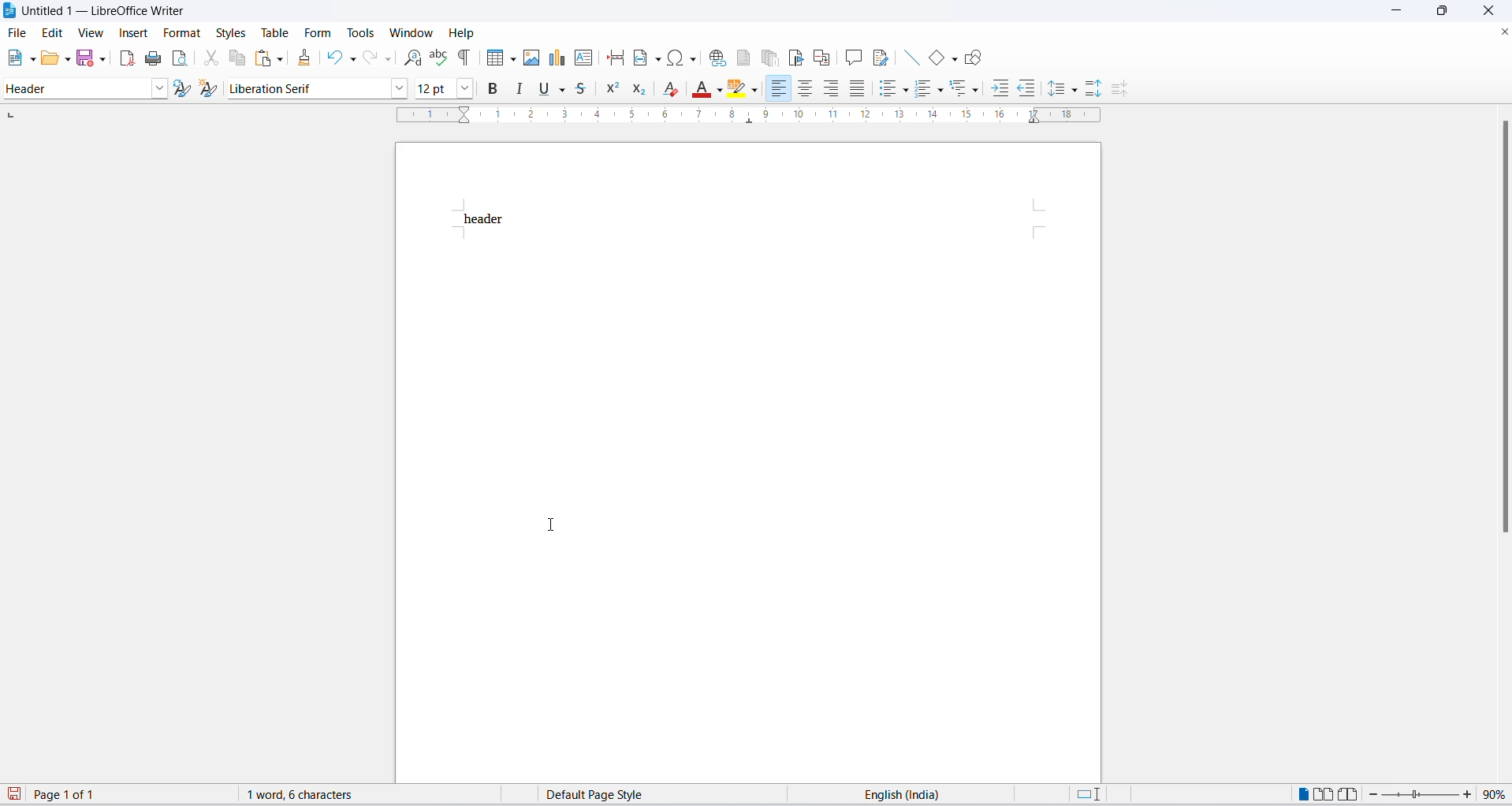 The height and width of the screenshot is (806, 1512). I want to click on clear direct formatting, so click(674, 88).